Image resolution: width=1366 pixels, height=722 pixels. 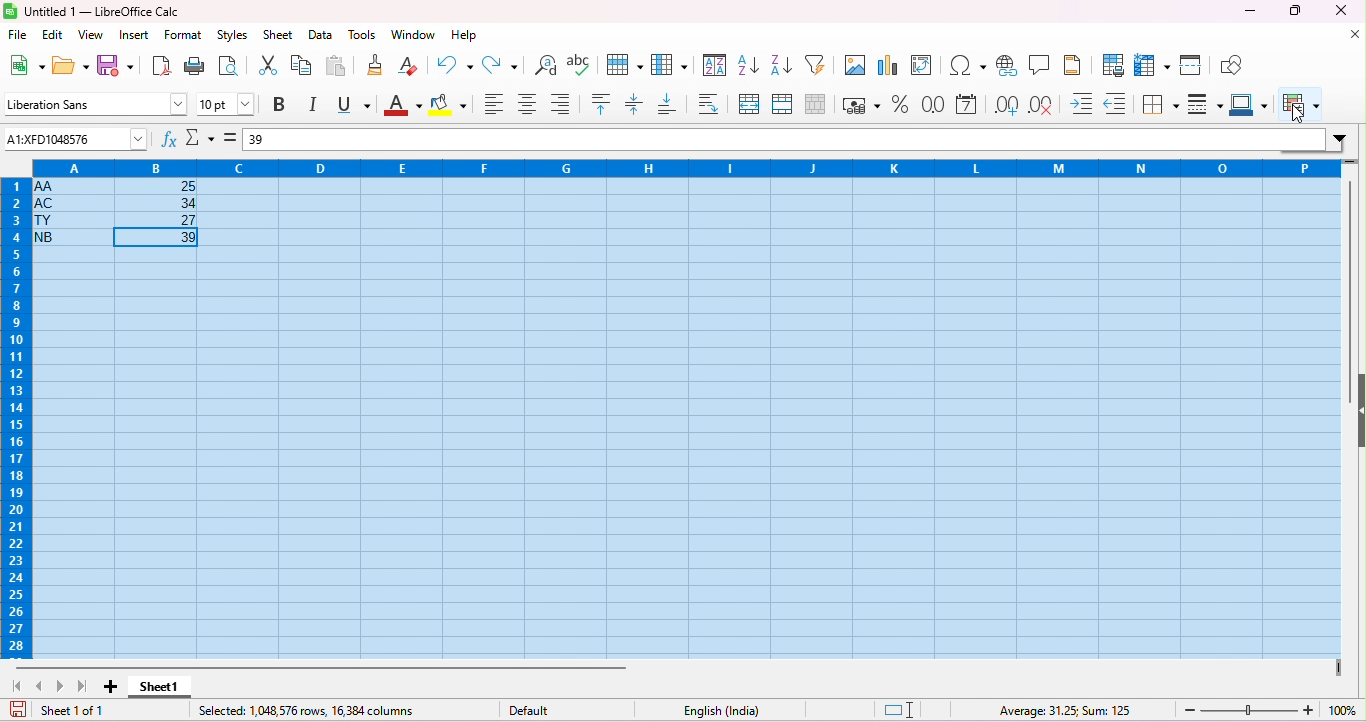 What do you see at coordinates (320, 36) in the screenshot?
I see `data` at bounding box center [320, 36].